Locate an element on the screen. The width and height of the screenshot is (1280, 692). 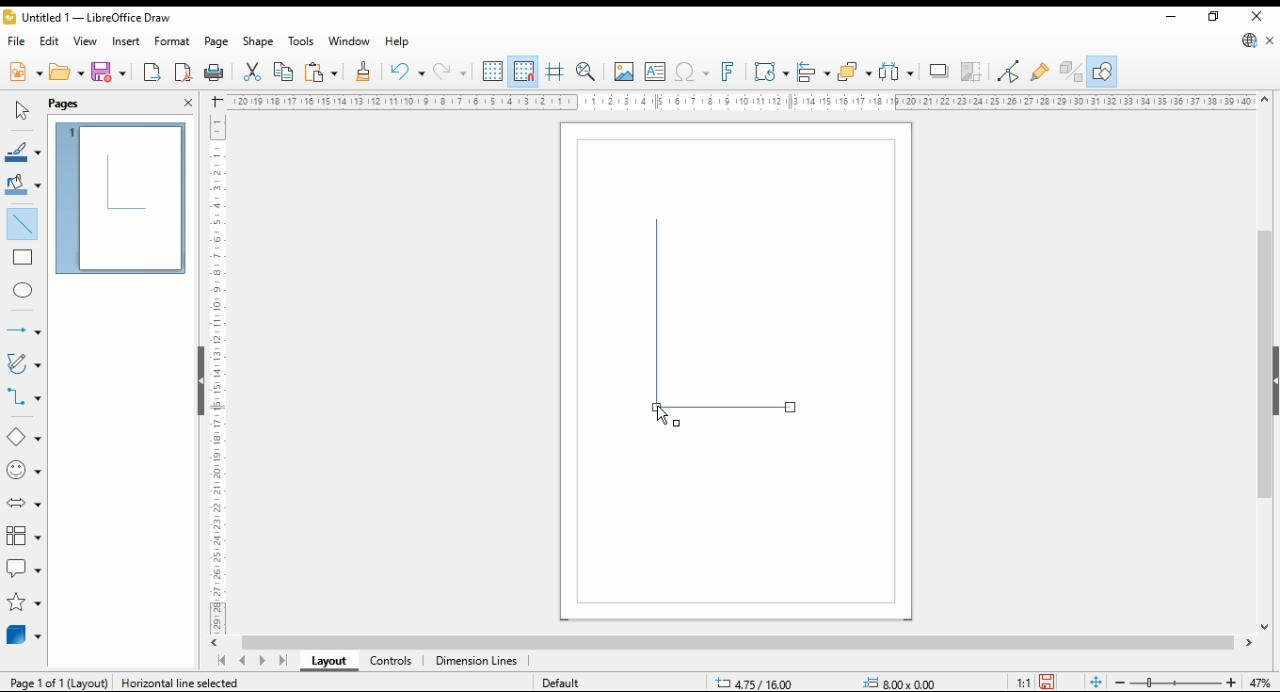
fill color is located at coordinates (22, 184).